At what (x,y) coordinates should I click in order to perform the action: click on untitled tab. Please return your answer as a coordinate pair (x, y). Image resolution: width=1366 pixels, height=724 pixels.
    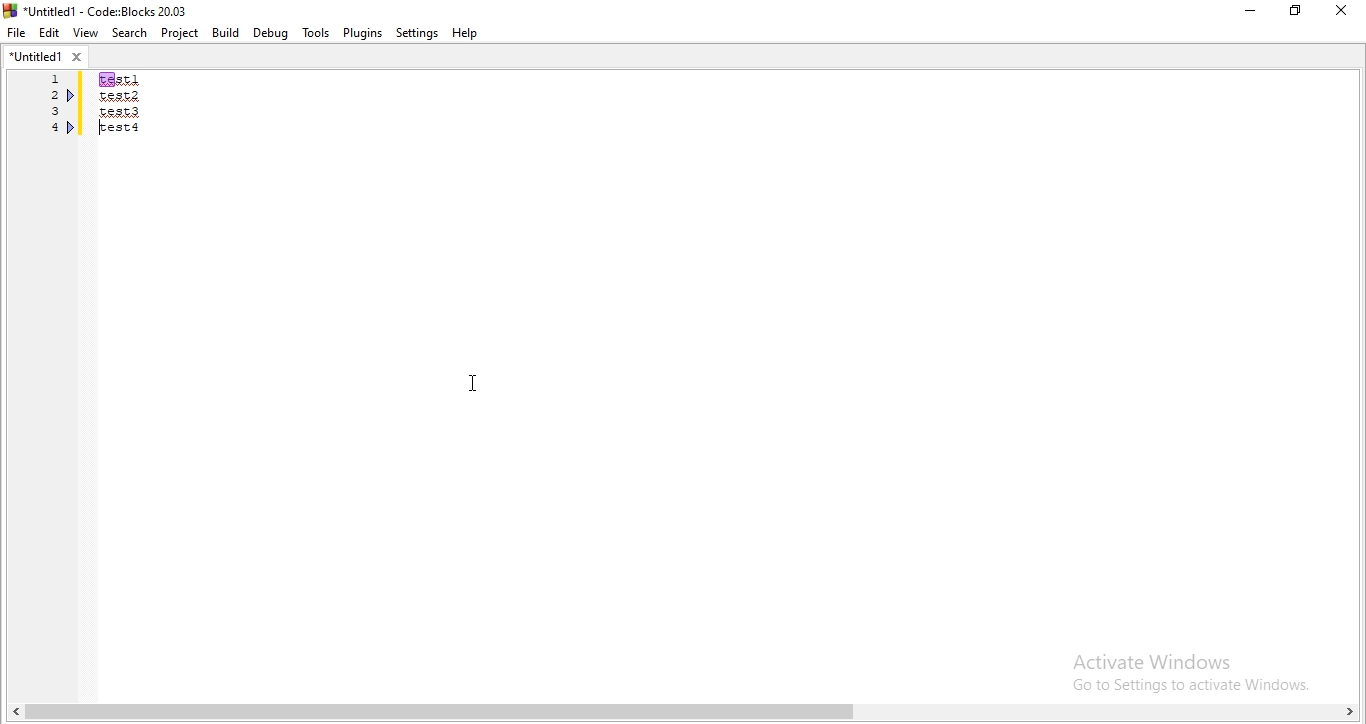
    Looking at the image, I should click on (45, 58).